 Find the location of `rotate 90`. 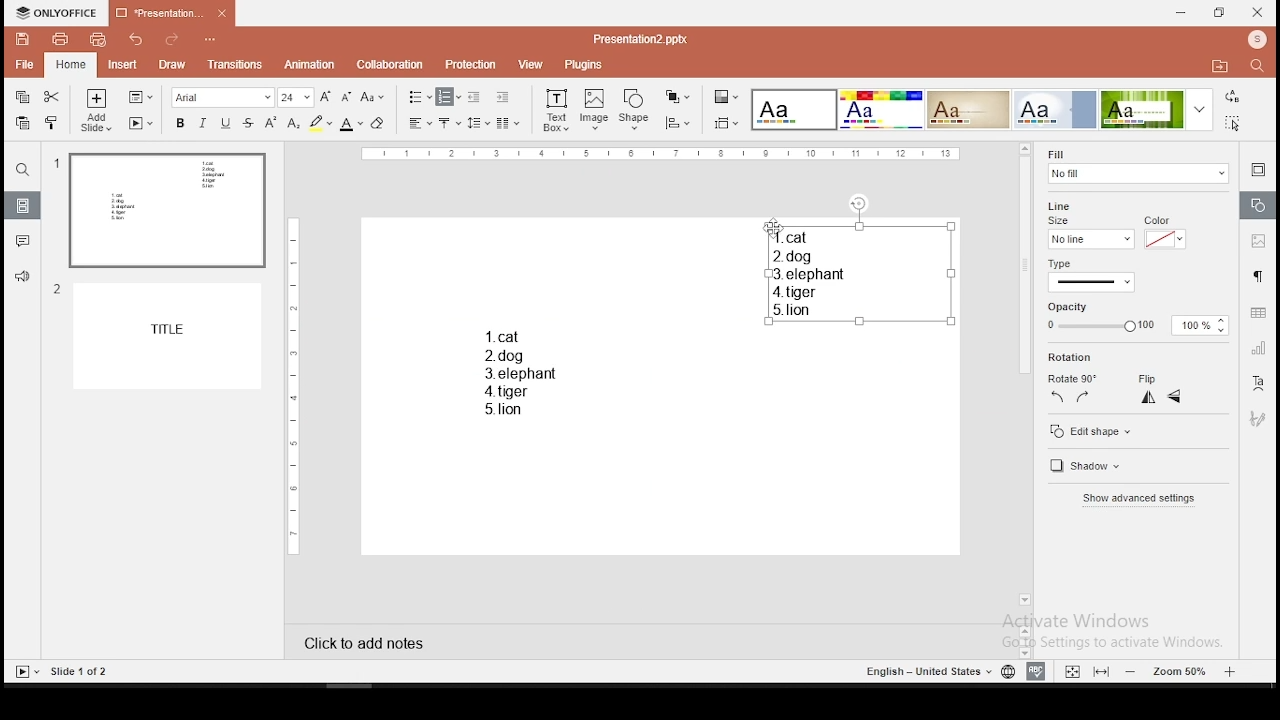

rotate 90 is located at coordinates (1074, 375).